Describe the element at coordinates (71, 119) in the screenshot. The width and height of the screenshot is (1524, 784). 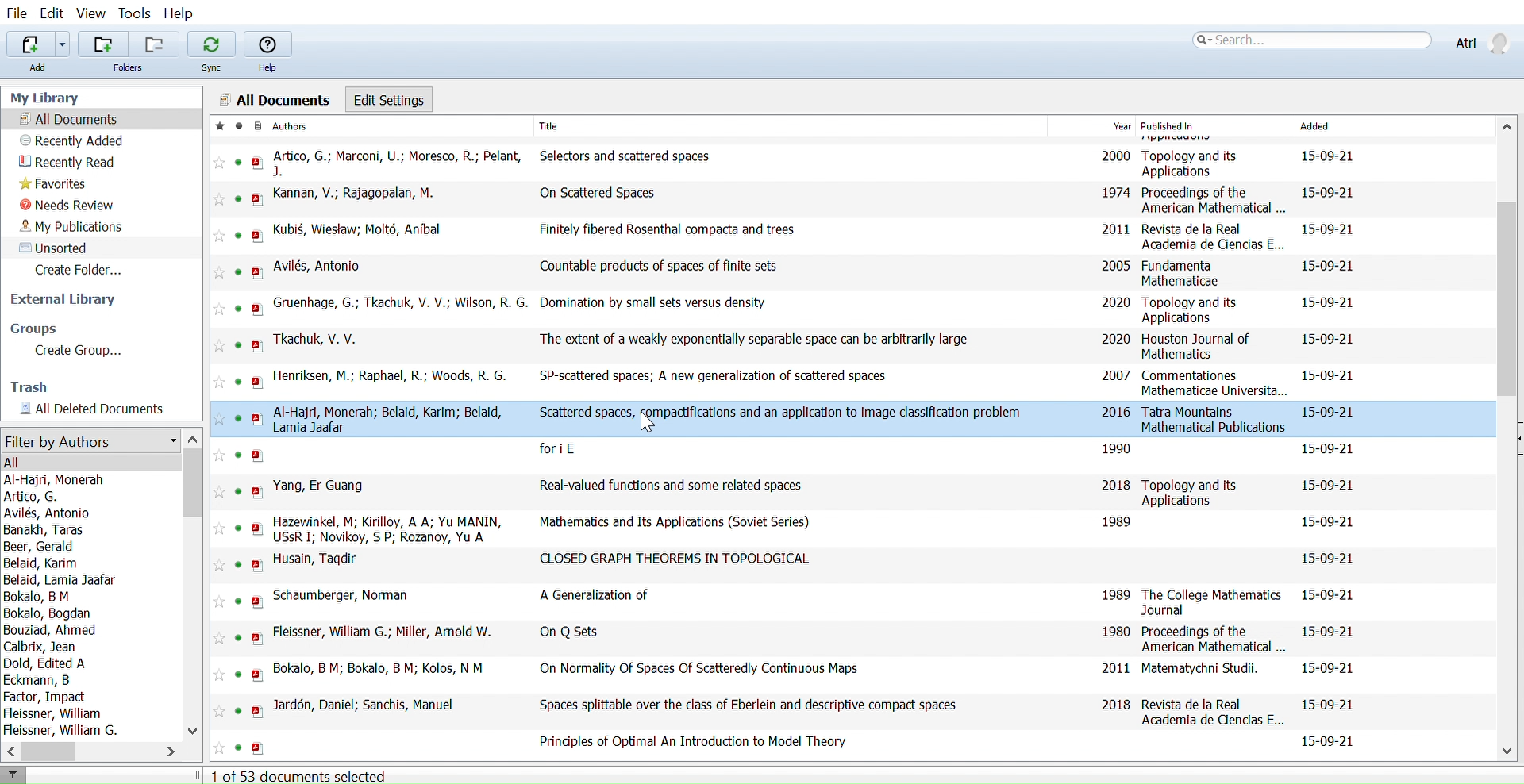
I see `All documents` at that location.